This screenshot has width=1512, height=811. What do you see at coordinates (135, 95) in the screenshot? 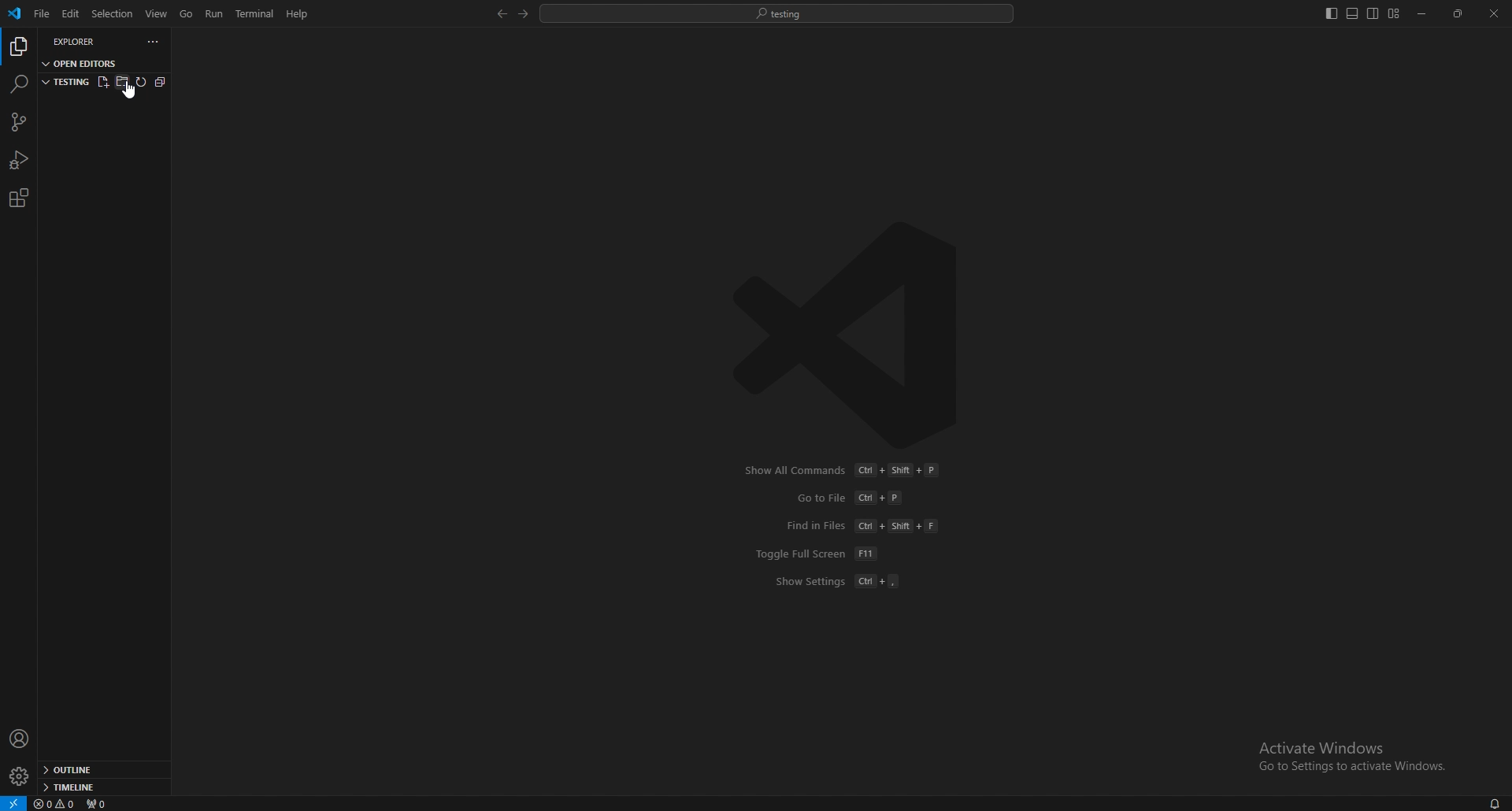
I see `cursor` at bounding box center [135, 95].